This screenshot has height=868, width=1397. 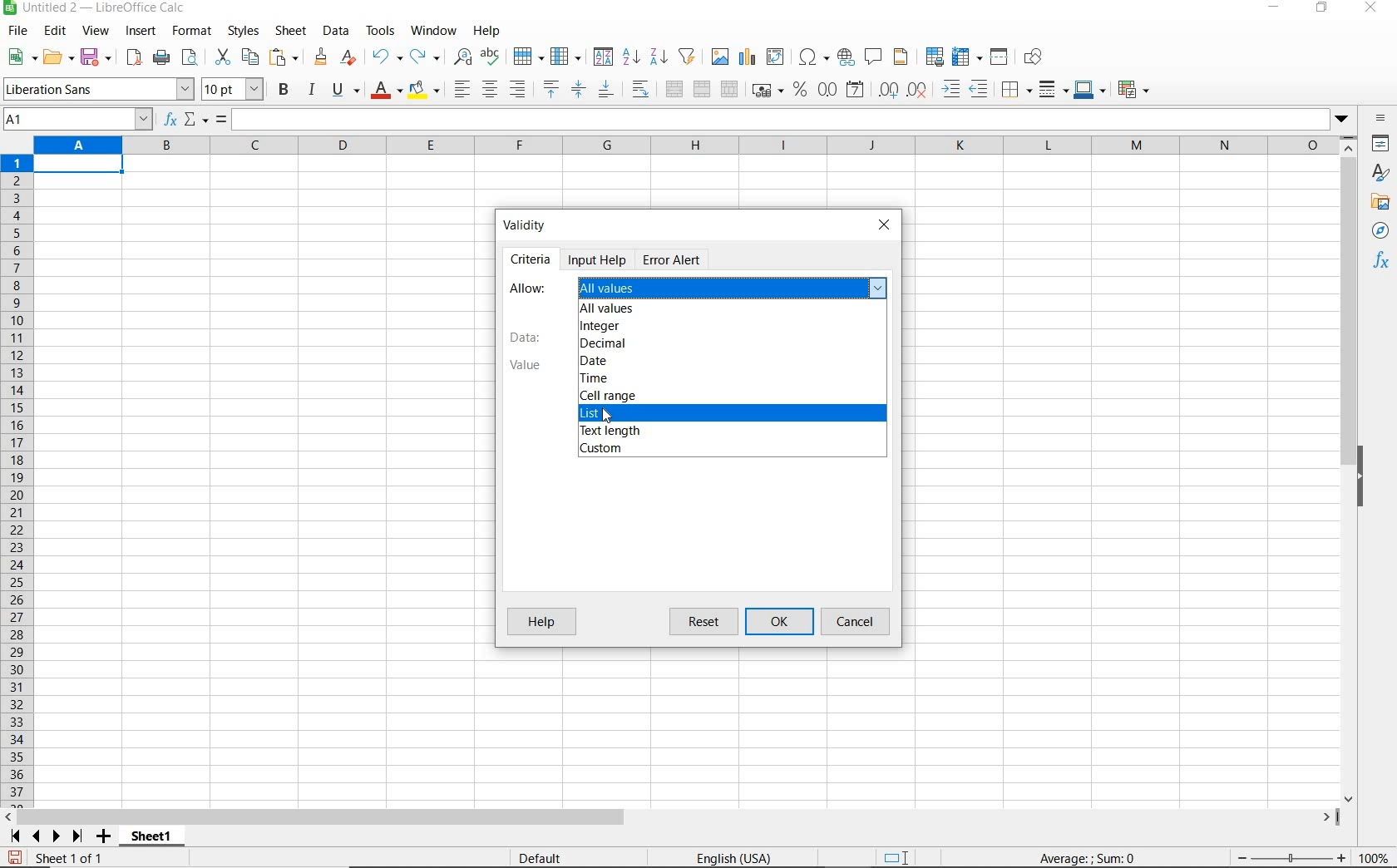 I want to click on add sheet, so click(x=101, y=838).